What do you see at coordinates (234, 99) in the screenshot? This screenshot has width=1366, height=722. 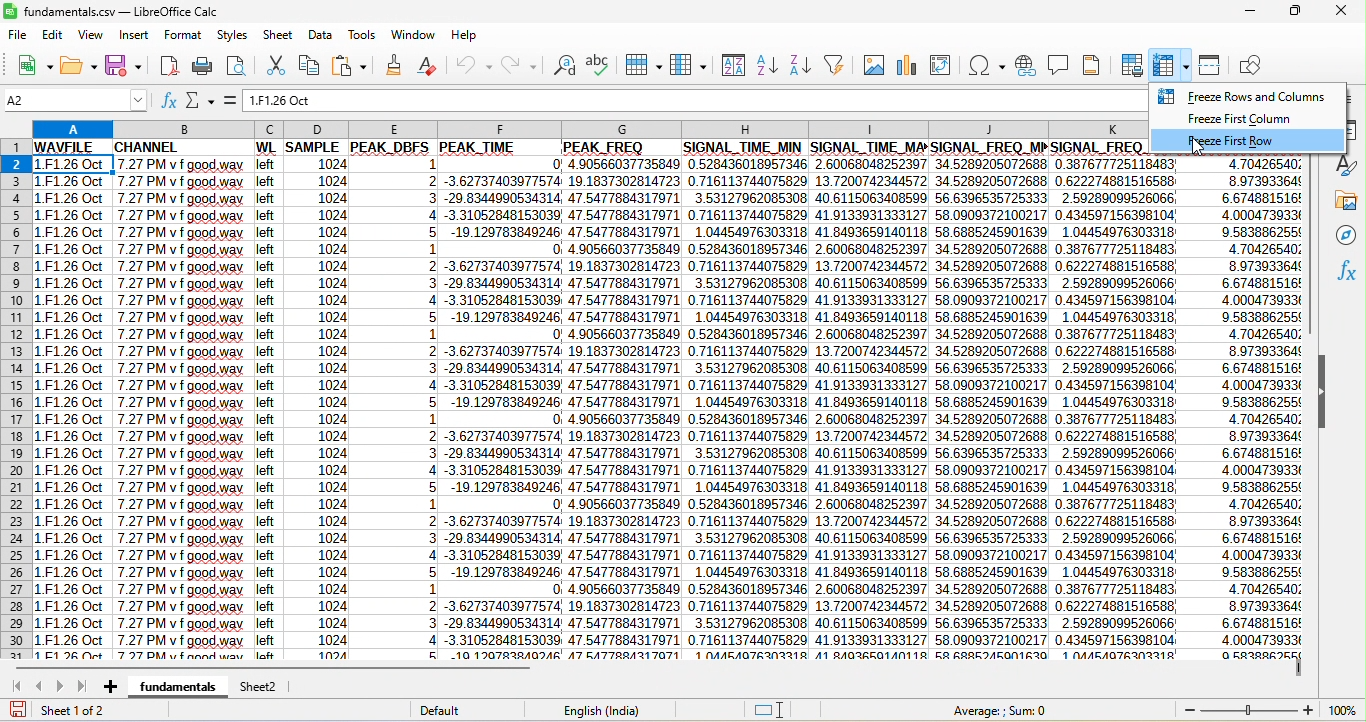 I see `formula` at bounding box center [234, 99].